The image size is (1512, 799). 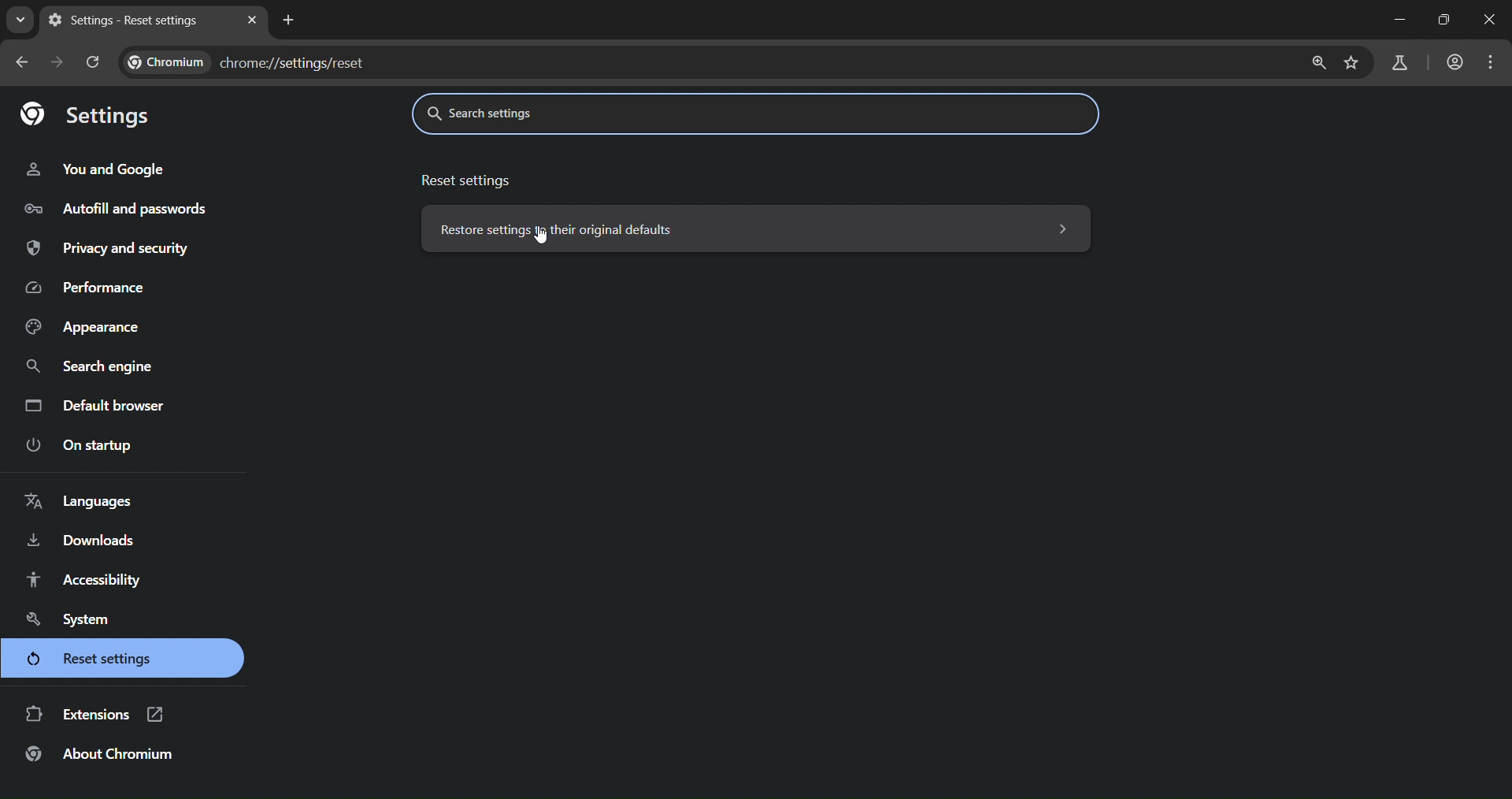 I want to click on settings, so click(x=85, y=113).